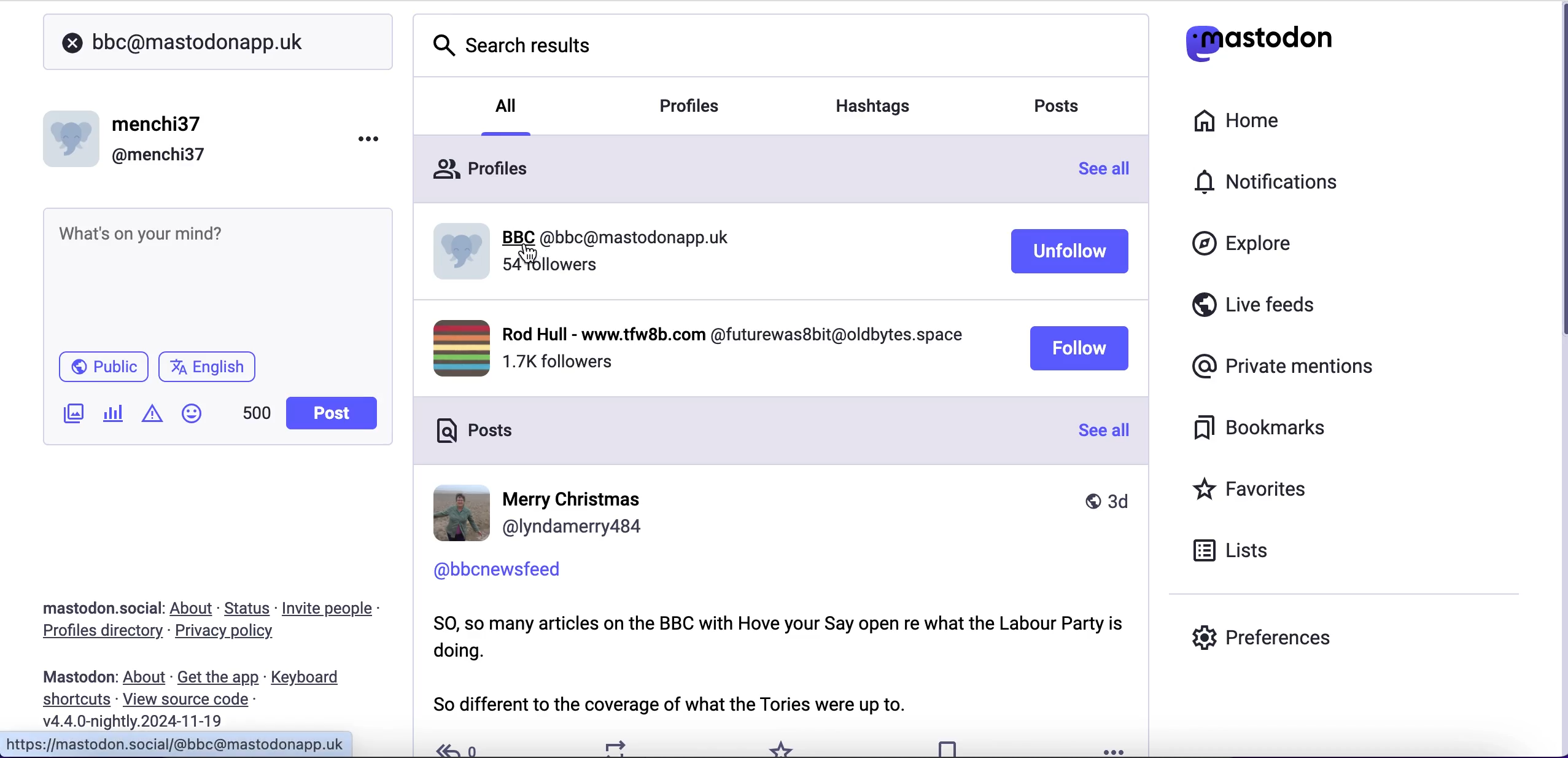 This screenshot has width=1568, height=758. I want to click on mastodon.social/@bbc@mastodonapp.uk, so click(179, 743).